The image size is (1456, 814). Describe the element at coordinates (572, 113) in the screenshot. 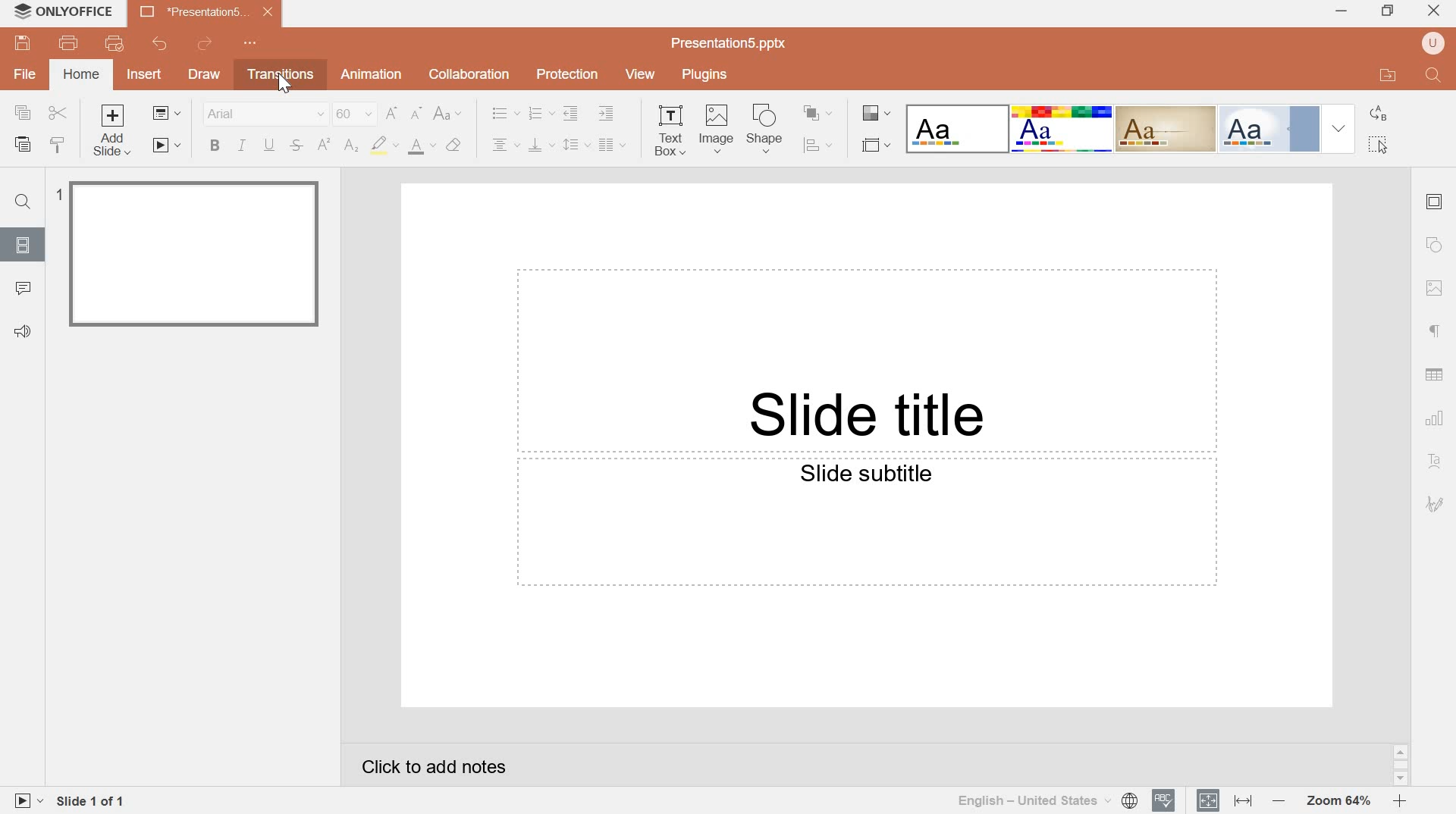

I see `decrease indent` at that location.